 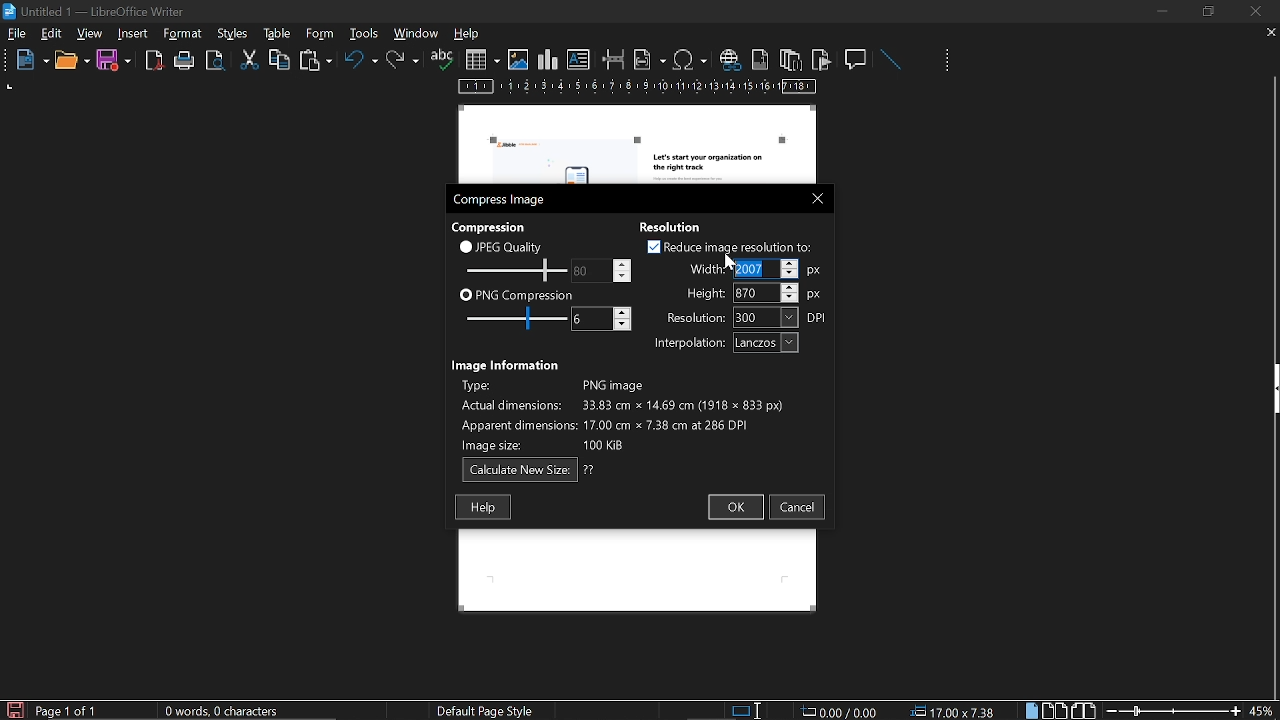 I want to click on format, so click(x=231, y=32).